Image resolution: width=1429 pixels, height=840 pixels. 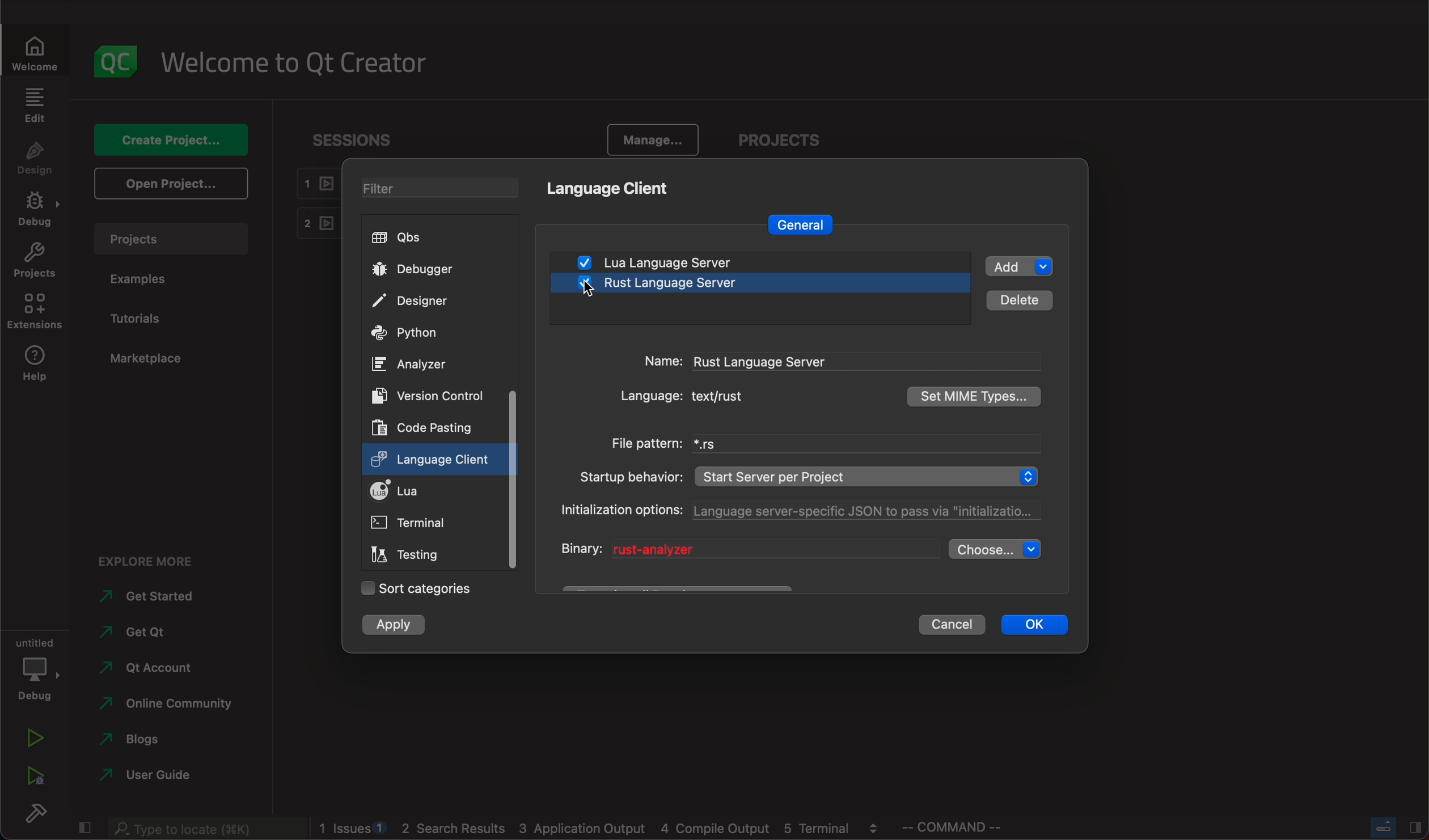 What do you see at coordinates (1381, 828) in the screenshot?
I see `close ` at bounding box center [1381, 828].